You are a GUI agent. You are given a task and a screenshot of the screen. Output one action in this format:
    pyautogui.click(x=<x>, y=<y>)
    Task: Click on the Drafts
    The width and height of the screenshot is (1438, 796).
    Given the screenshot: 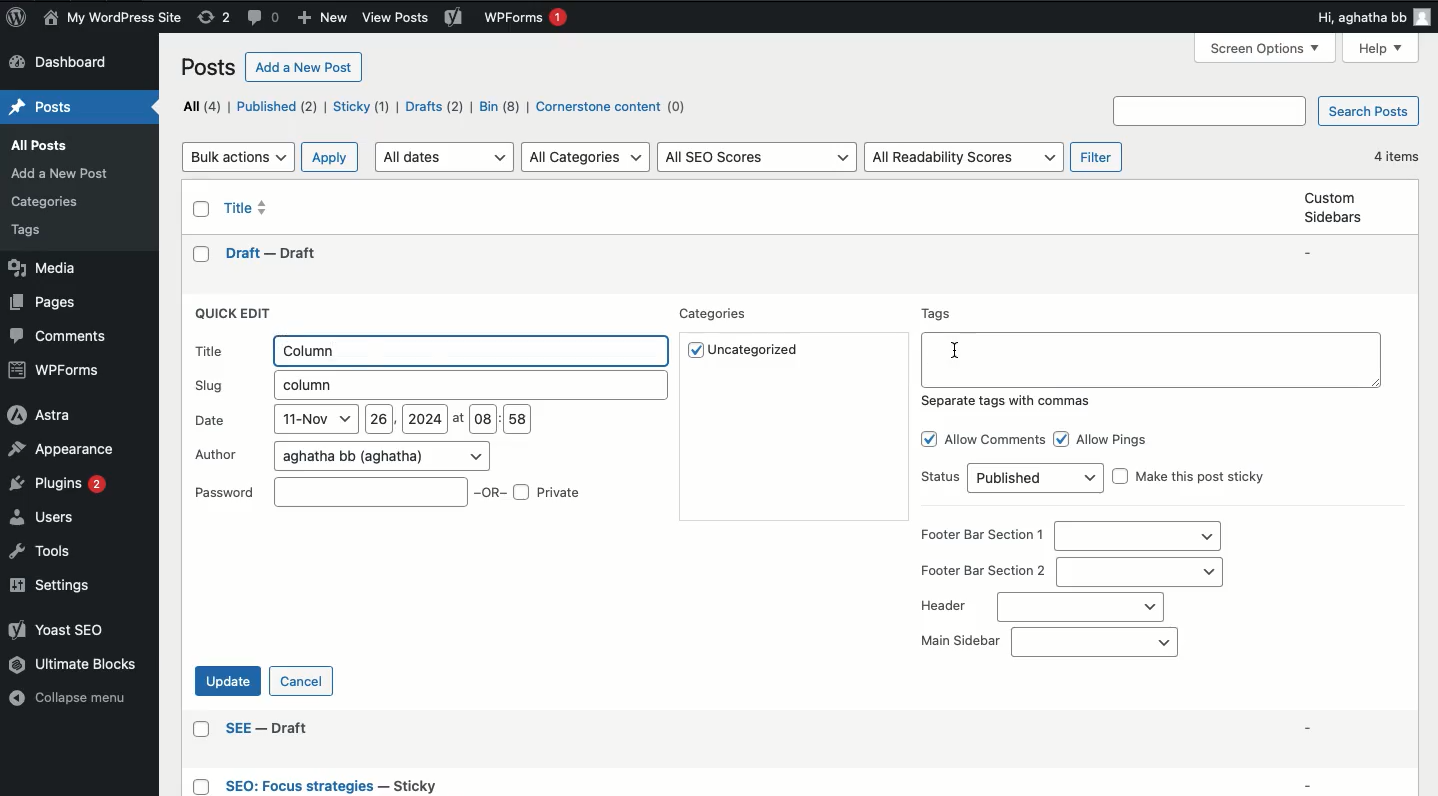 What is the action you would take?
    pyautogui.click(x=436, y=108)
    